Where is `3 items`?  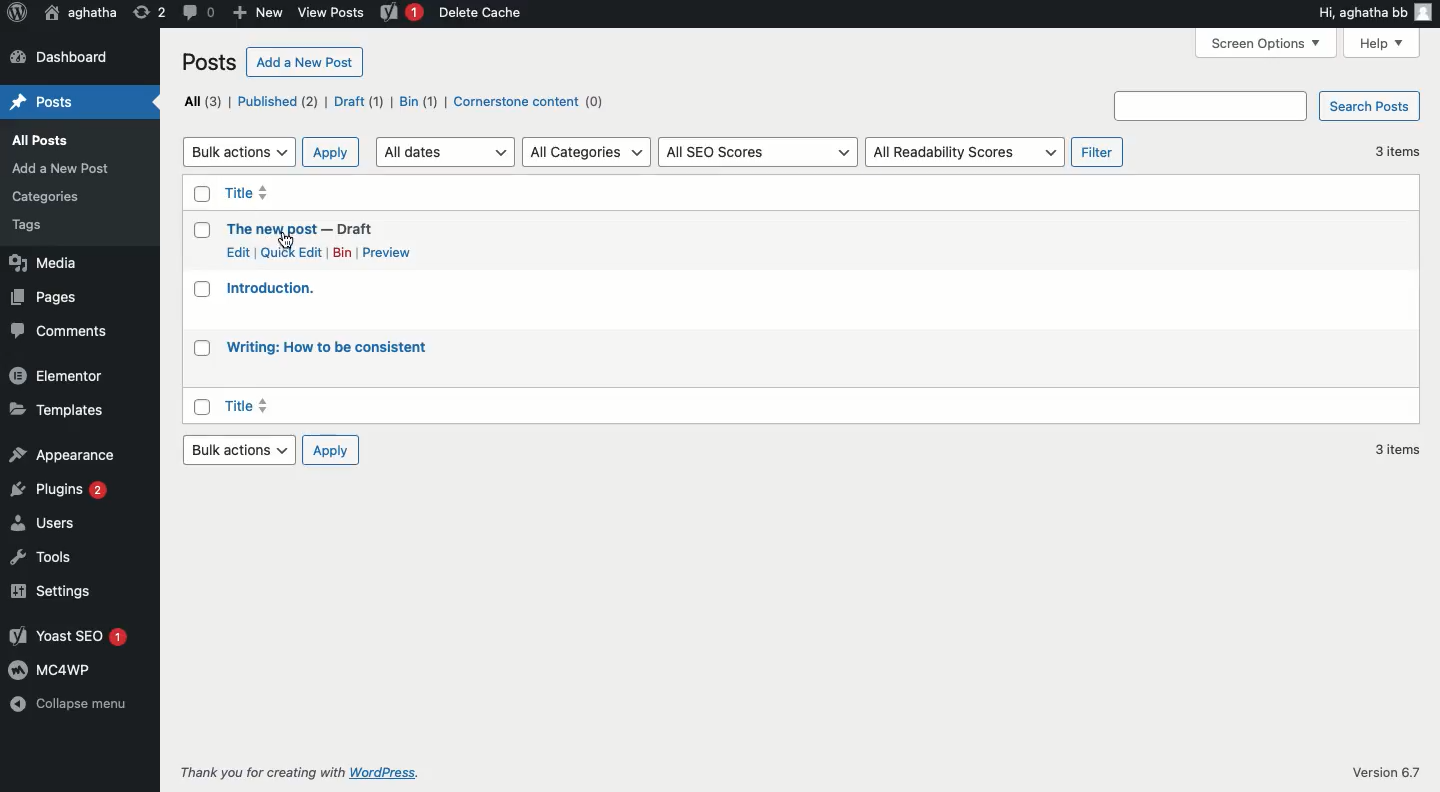 3 items is located at coordinates (1393, 151).